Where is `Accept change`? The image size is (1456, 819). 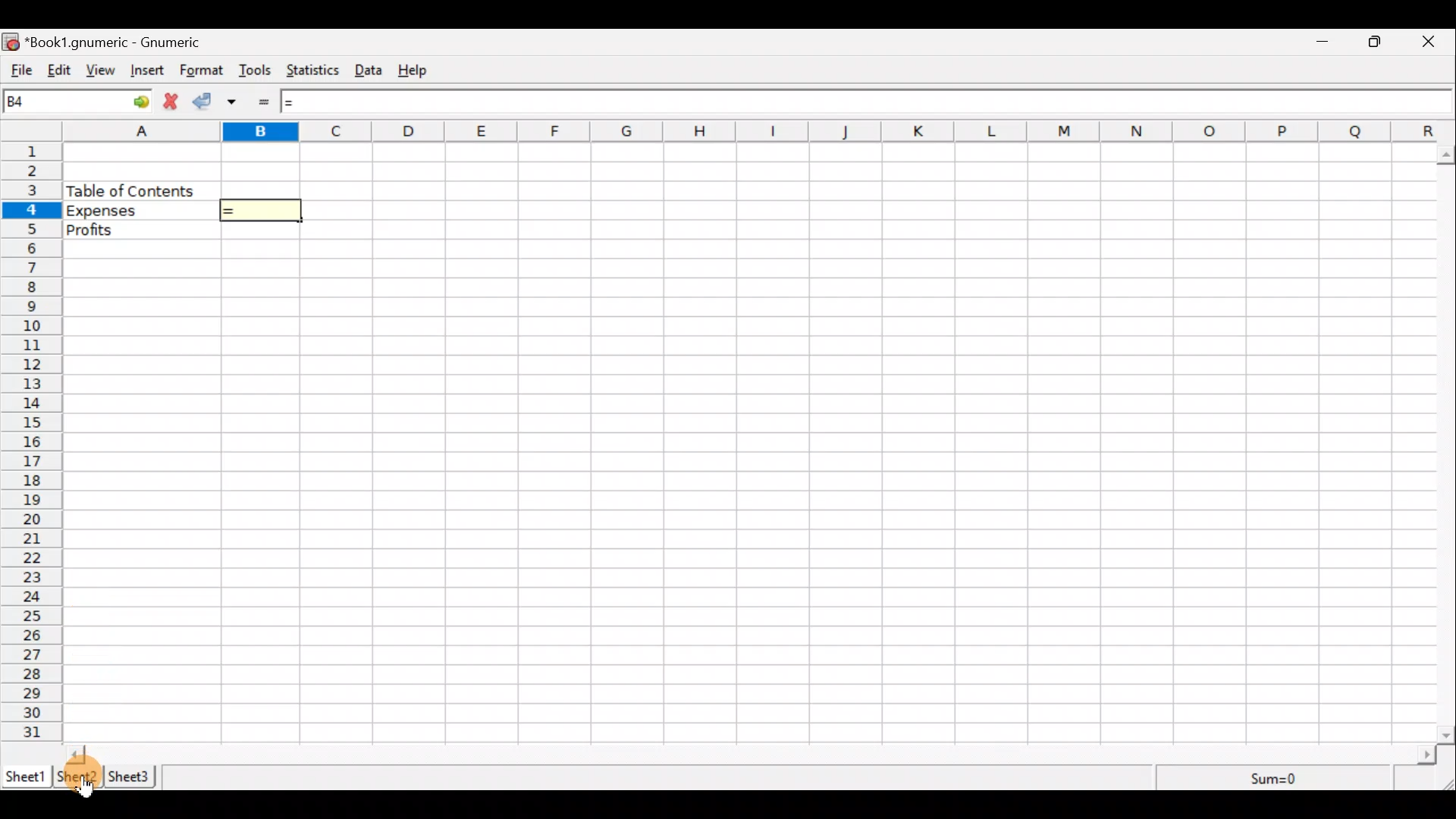
Accept change is located at coordinates (206, 102).